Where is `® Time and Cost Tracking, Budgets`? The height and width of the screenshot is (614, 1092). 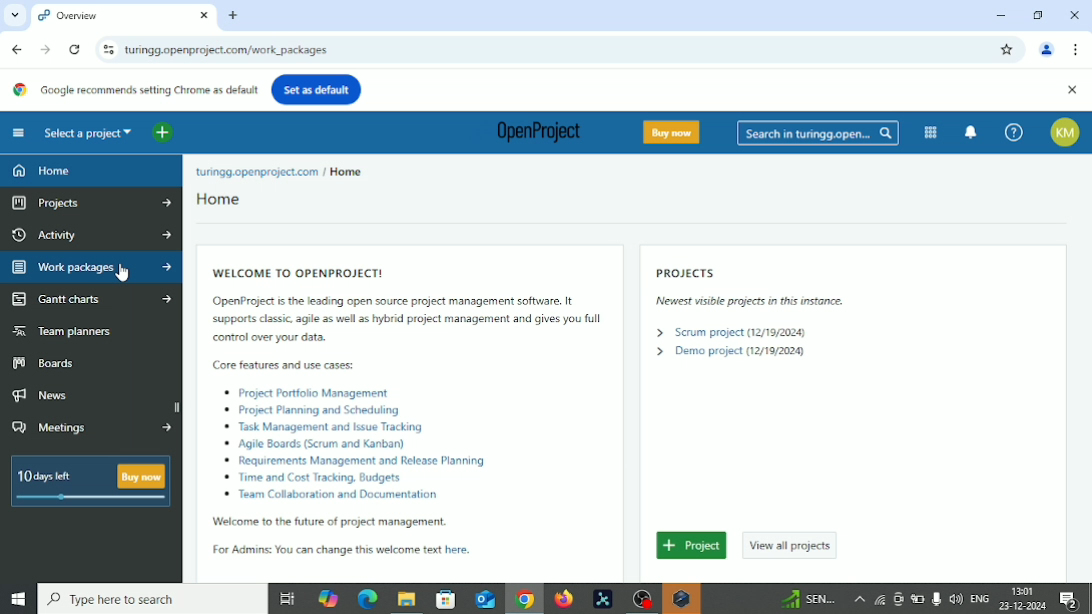 ® Time and Cost Tracking, Budgets is located at coordinates (317, 477).